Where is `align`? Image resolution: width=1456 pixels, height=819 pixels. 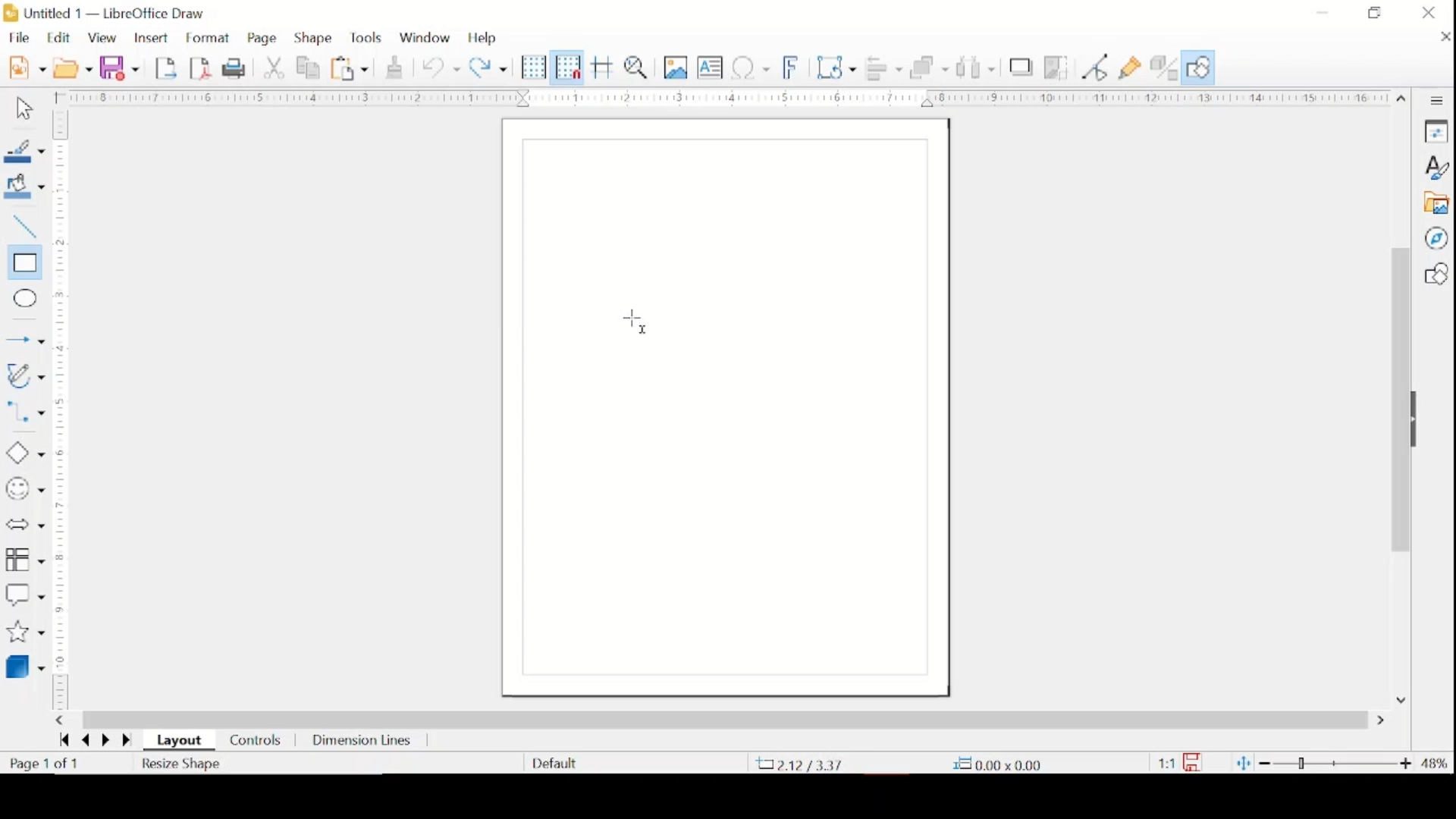 align is located at coordinates (883, 67).